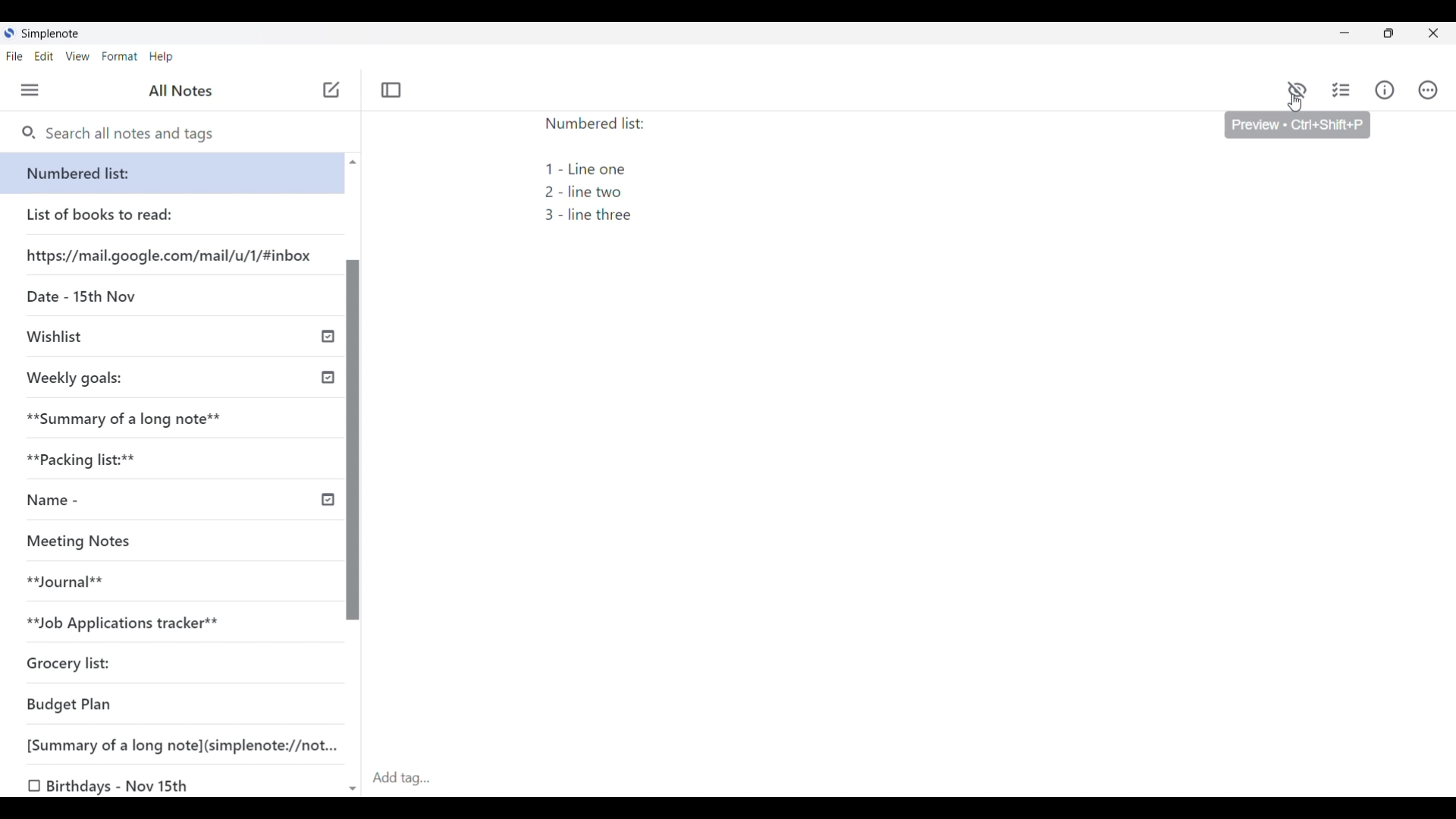 This screenshot has width=1456, height=819. Describe the element at coordinates (90, 463) in the screenshot. I see `Packiacking list:**` at that location.